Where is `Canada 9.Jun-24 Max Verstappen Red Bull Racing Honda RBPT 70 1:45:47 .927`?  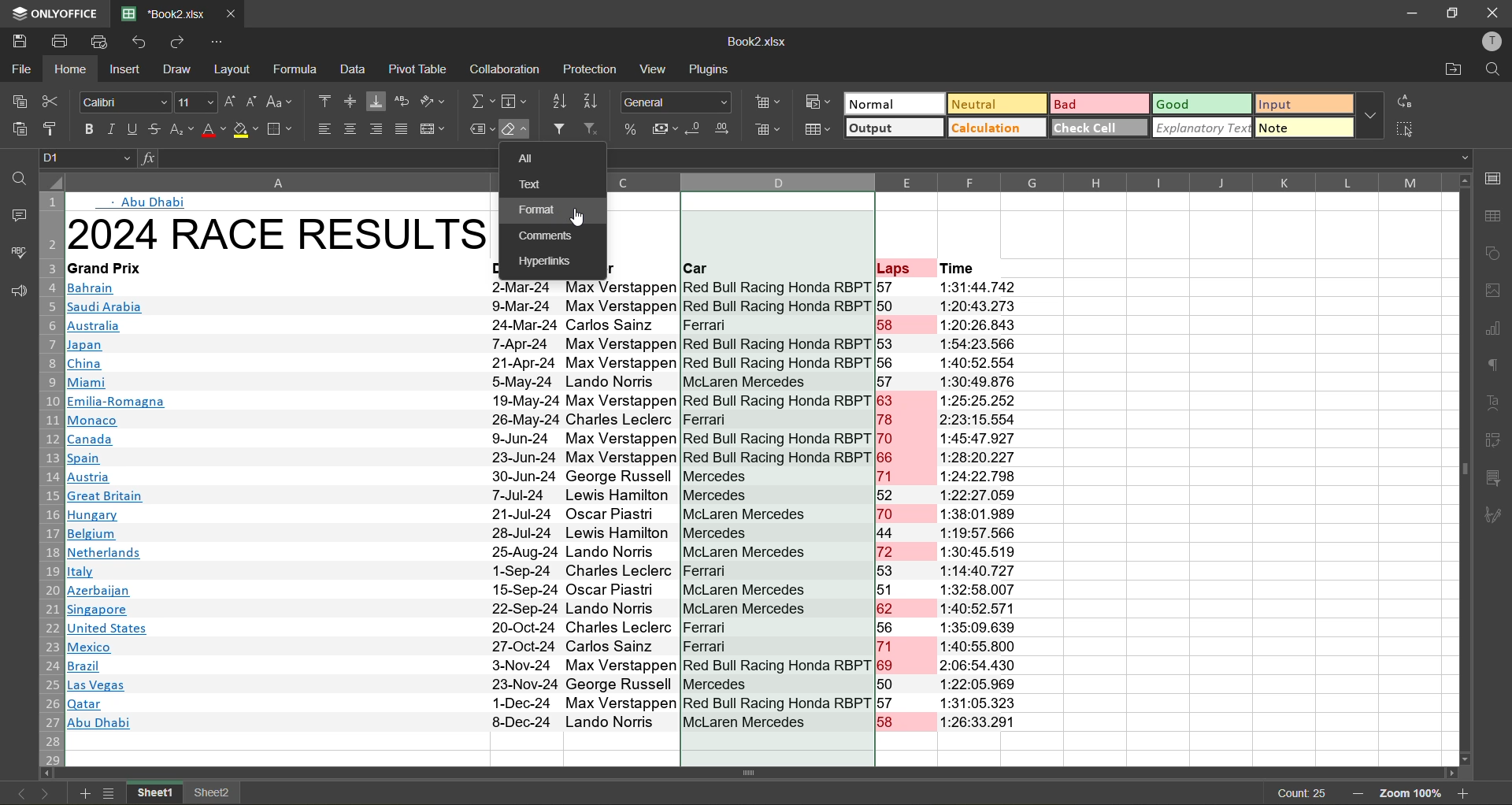 Canada 9.Jun-24 Max Verstappen Red Bull Racing Honda RBPT 70 1:45:47 .927 is located at coordinates (540, 439).